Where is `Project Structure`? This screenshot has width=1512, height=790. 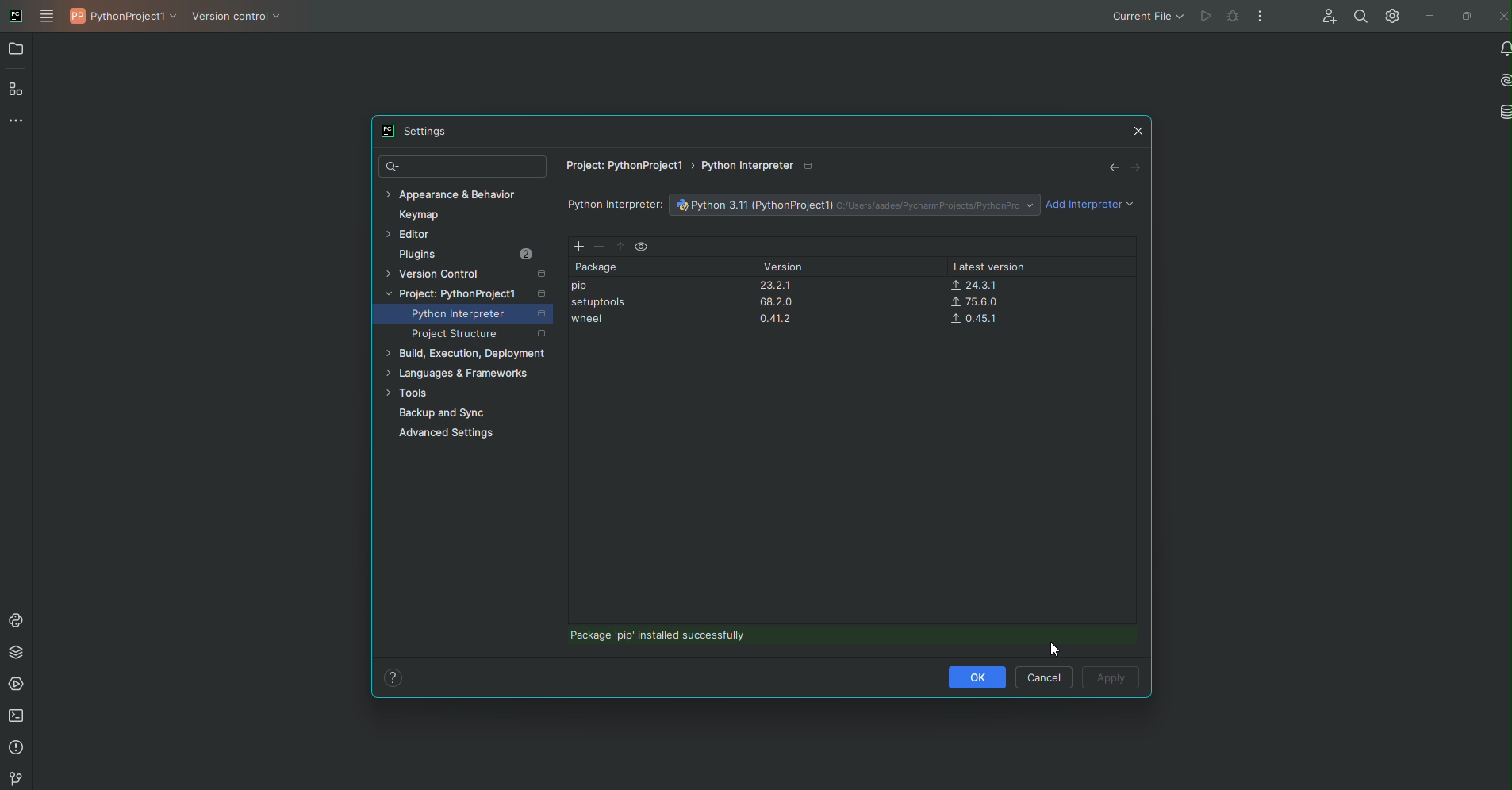
Project Structure is located at coordinates (479, 336).